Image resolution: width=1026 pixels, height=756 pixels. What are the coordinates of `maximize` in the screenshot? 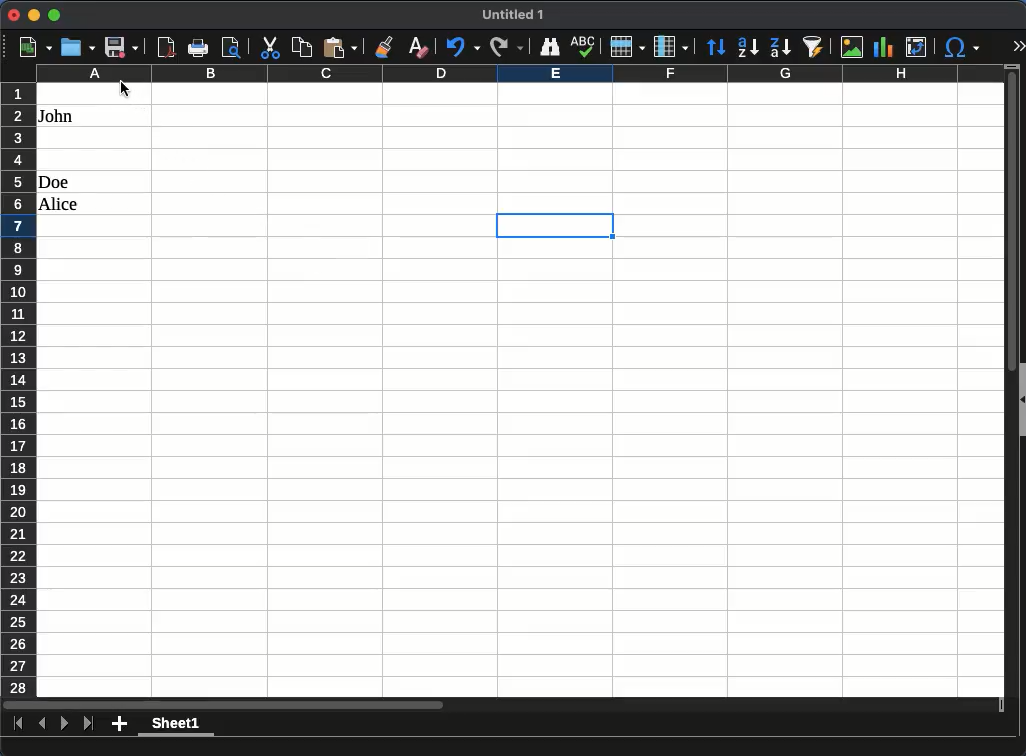 It's located at (53, 15).